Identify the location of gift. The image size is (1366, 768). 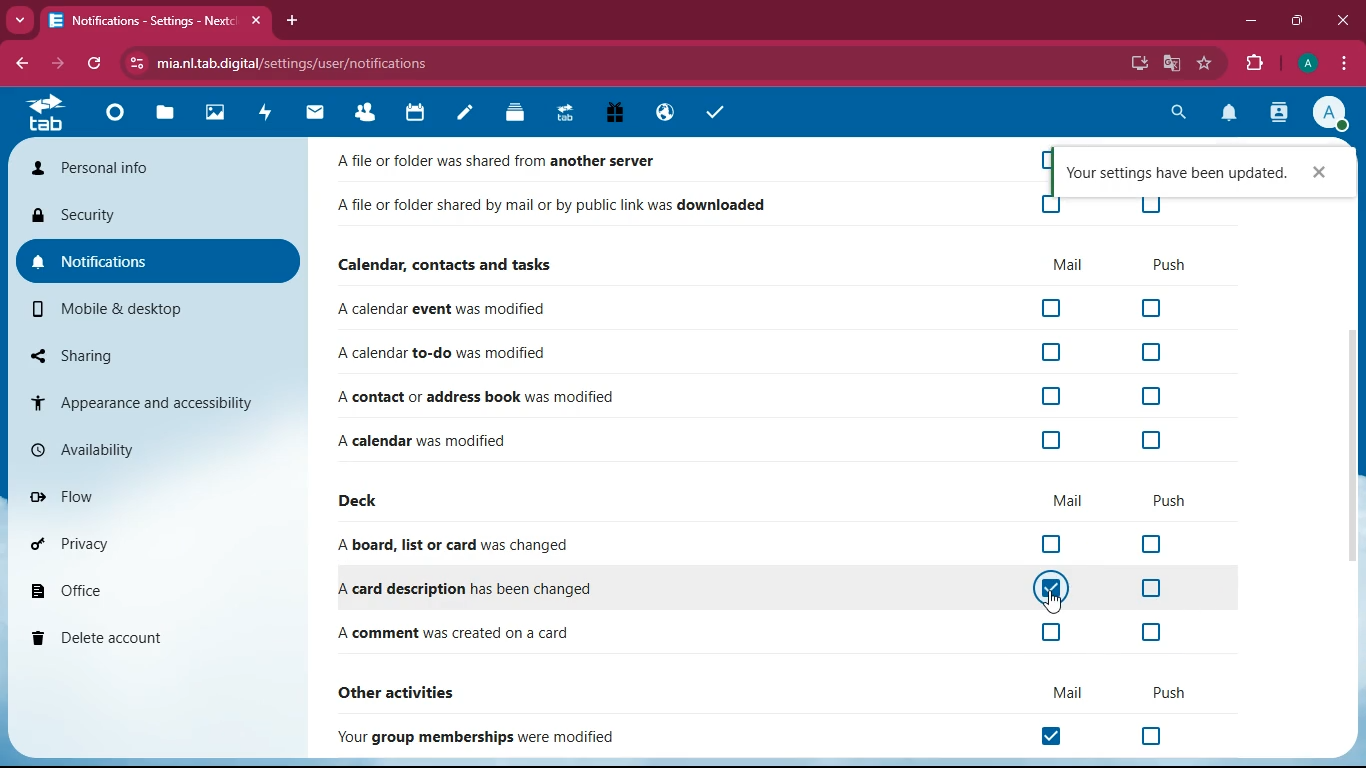
(616, 115).